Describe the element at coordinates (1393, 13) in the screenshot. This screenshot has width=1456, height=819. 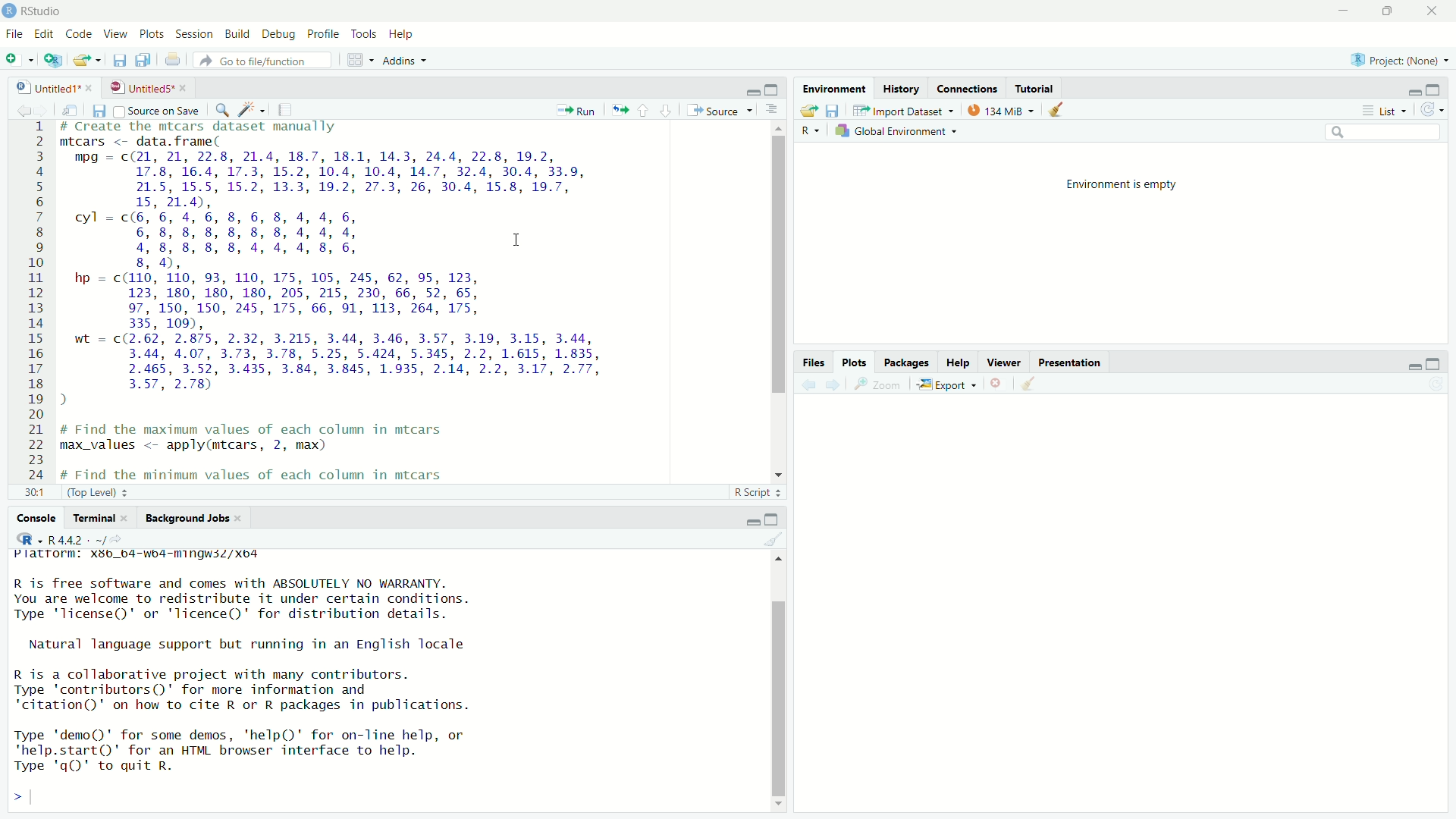
I see `maximise` at that location.